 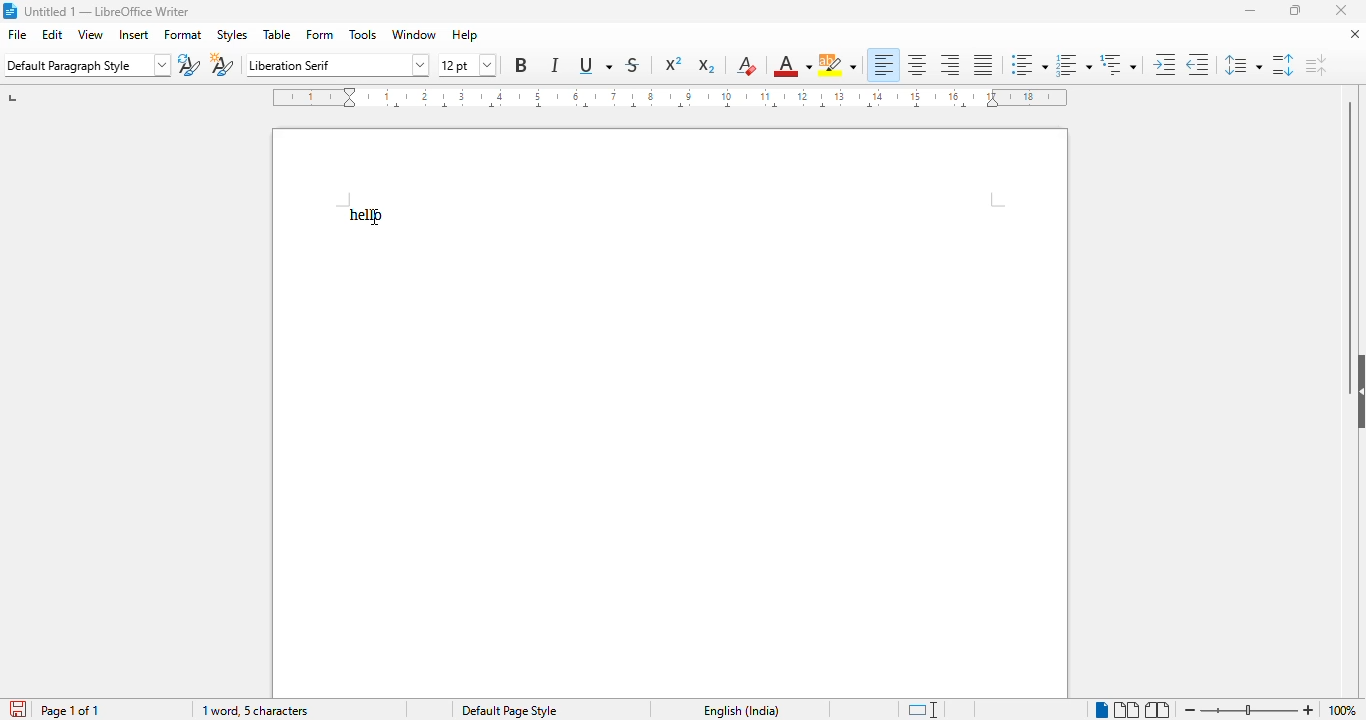 I want to click on single-page view, so click(x=1102, y=710).